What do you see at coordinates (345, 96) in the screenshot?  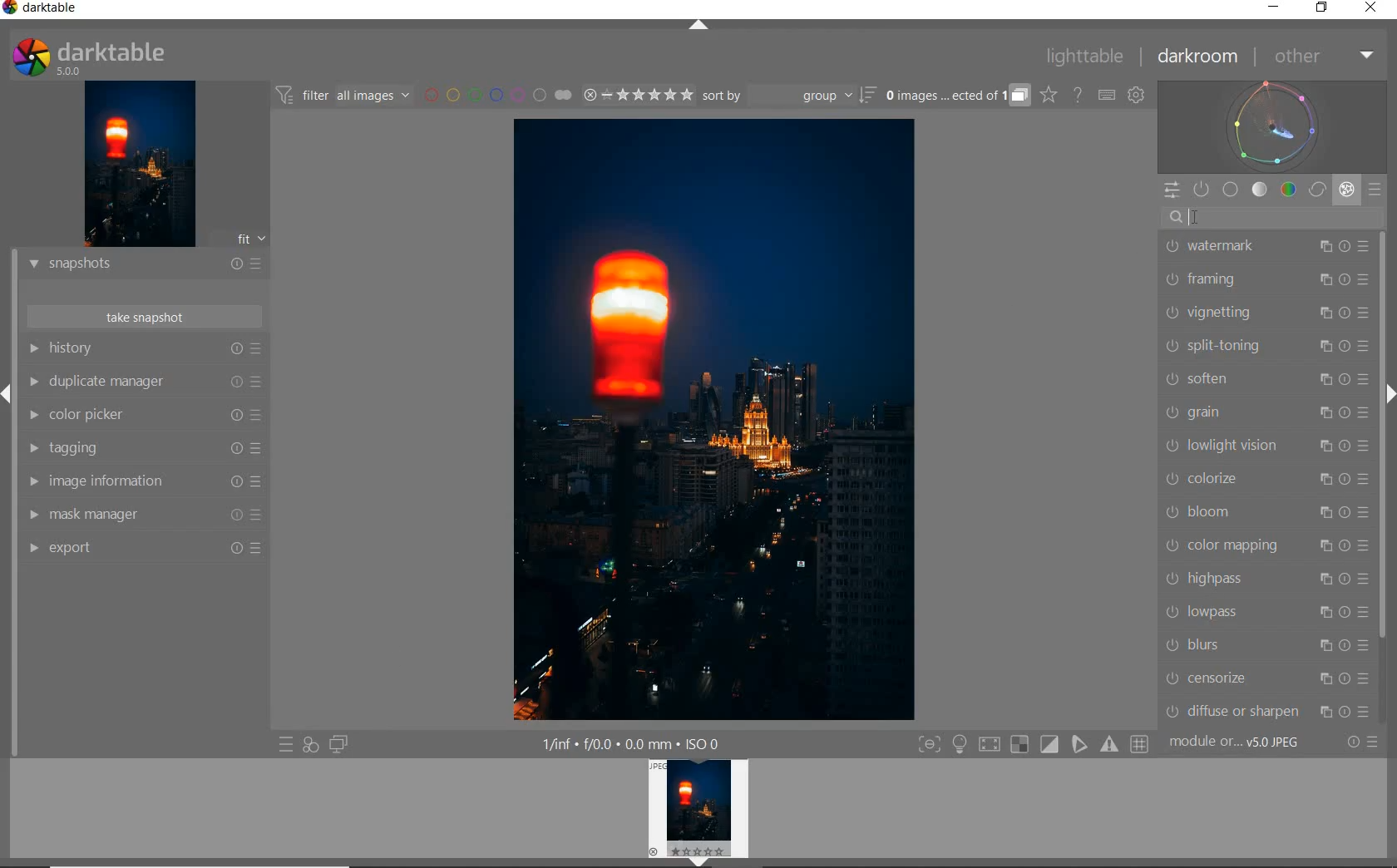 I see `FILTER IMAGES BASED ON THEIR MODULE ORDER` at bounding box center [345, 96].